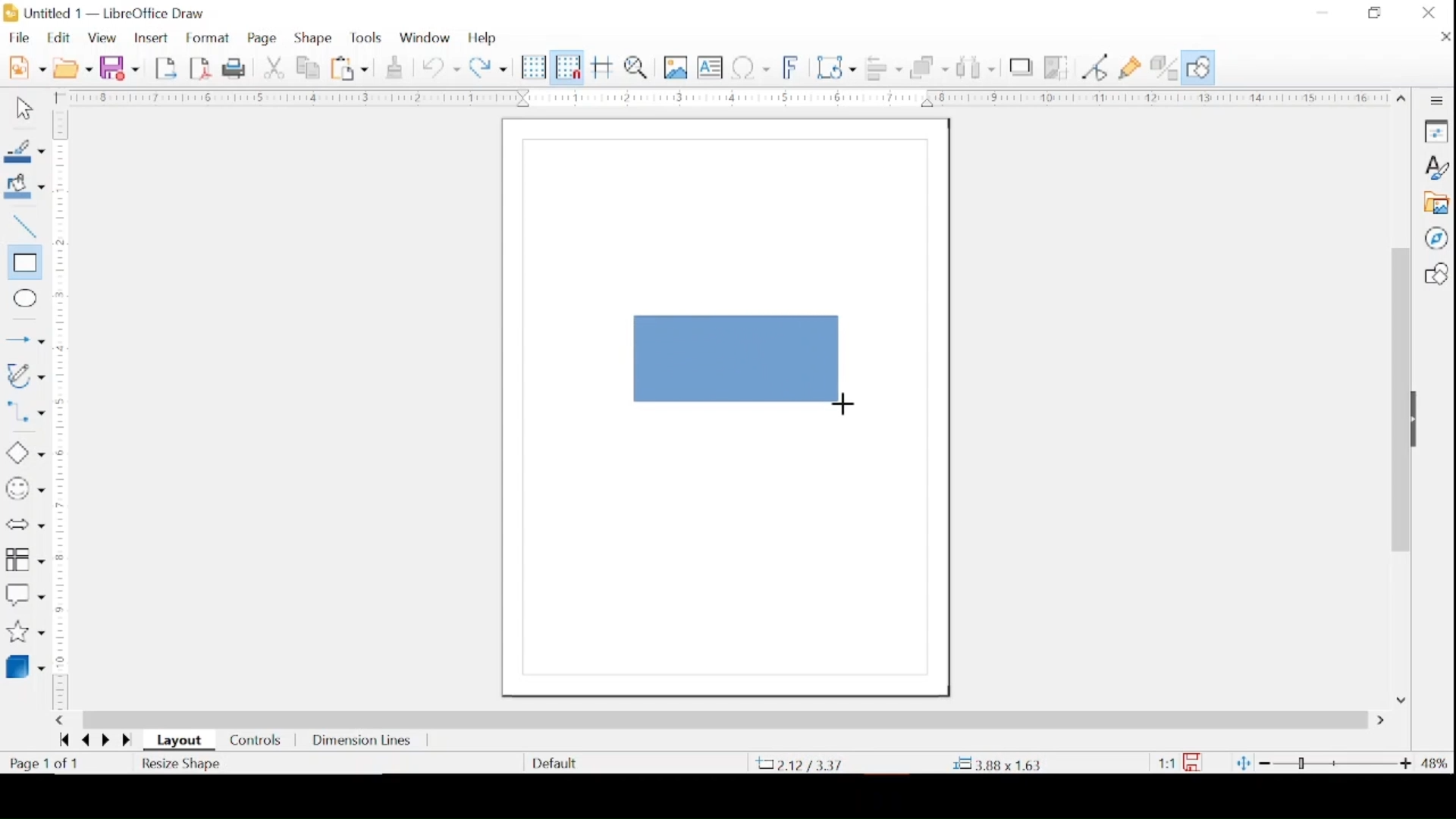 The height and width of the screenshot is (819, 1456). I want to click on show draw functions, so click(1198, 67).